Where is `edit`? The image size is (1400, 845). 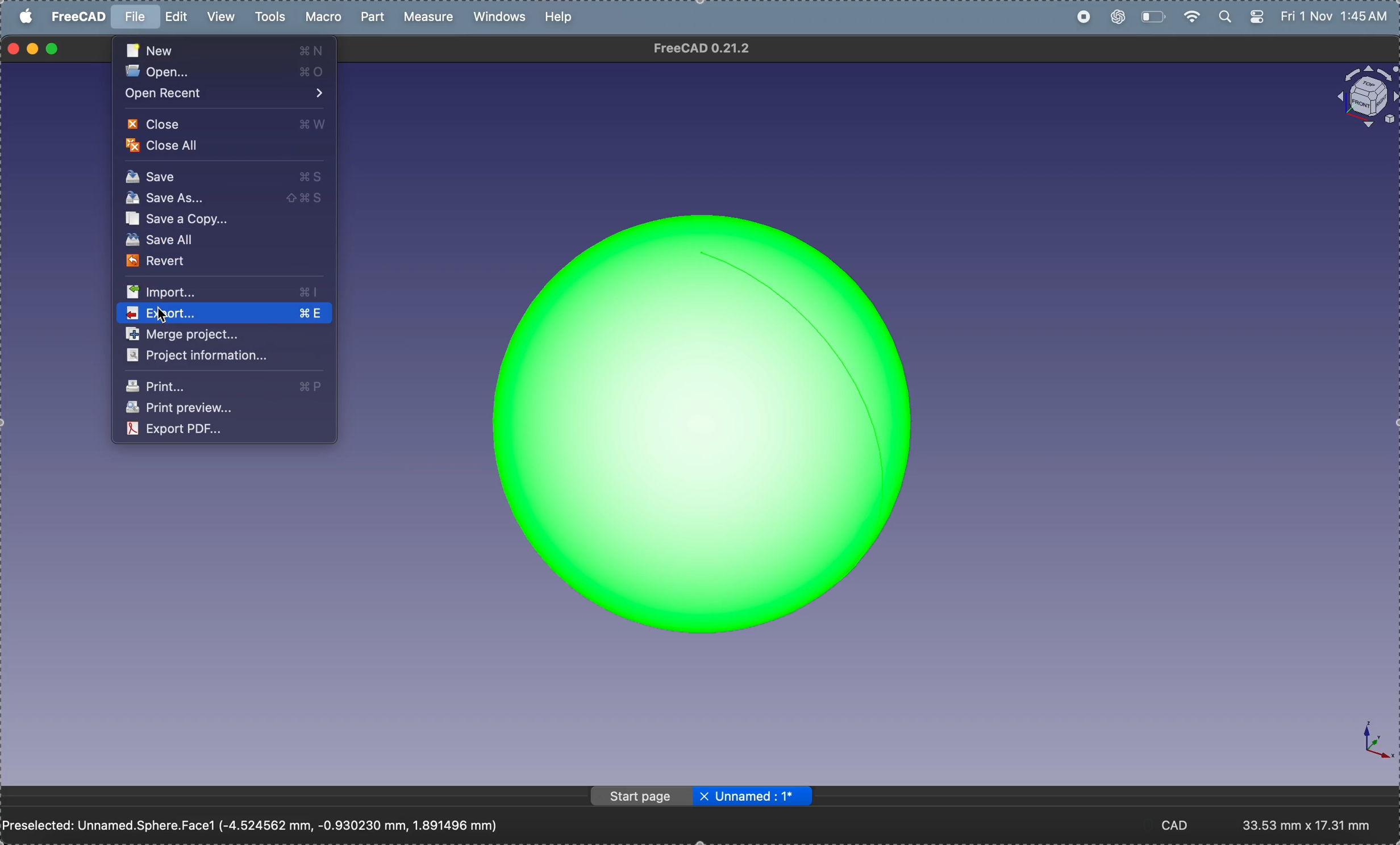
edit is located at coordinates (177, 16).